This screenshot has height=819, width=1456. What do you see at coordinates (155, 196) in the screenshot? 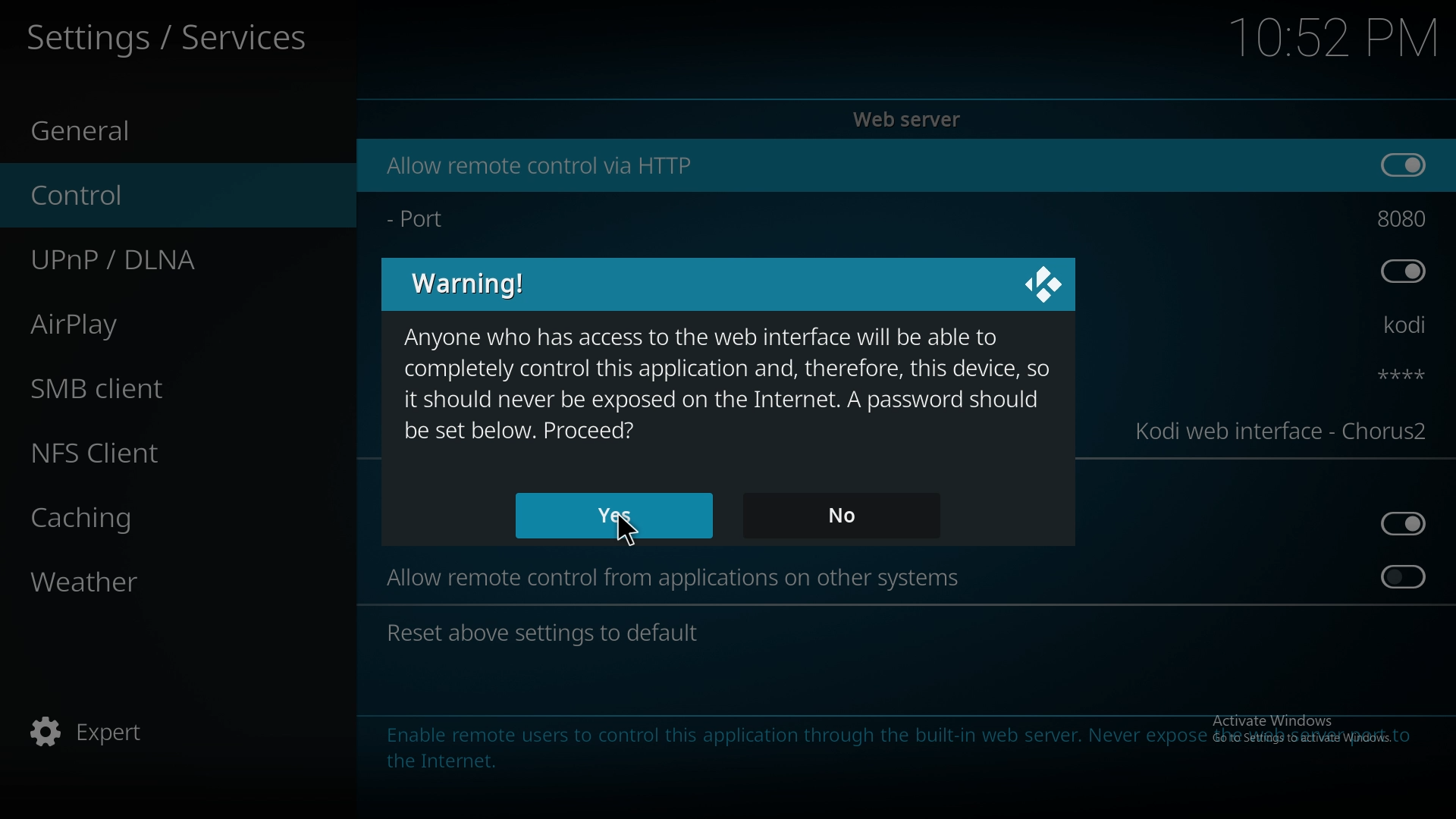
I see `control` at bounding box center [155, 196].